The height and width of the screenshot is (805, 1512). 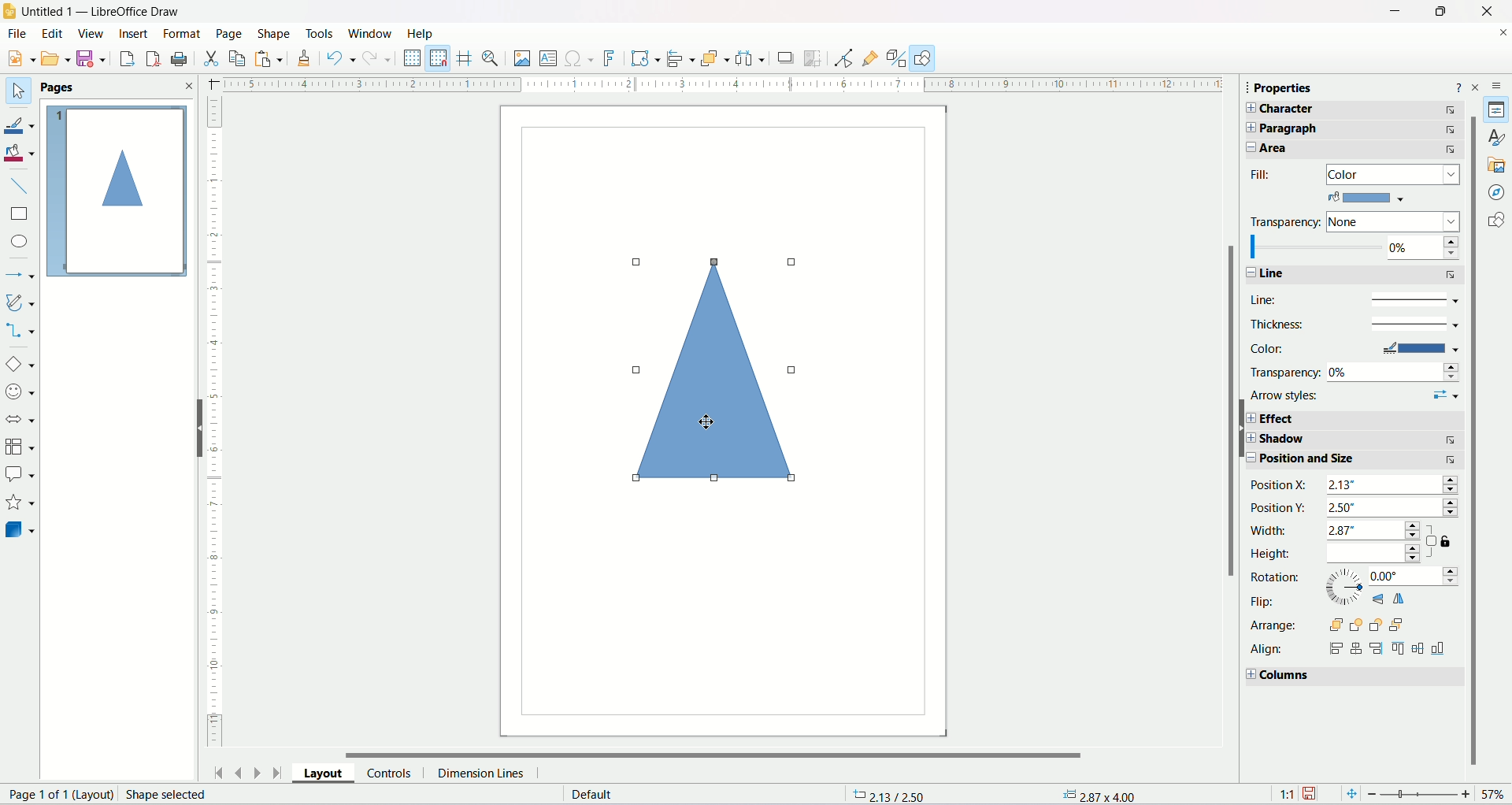 What do you see at coordinates (1341, 531) in the screenshot?
I see `width` at bounding box center [1341, 531].